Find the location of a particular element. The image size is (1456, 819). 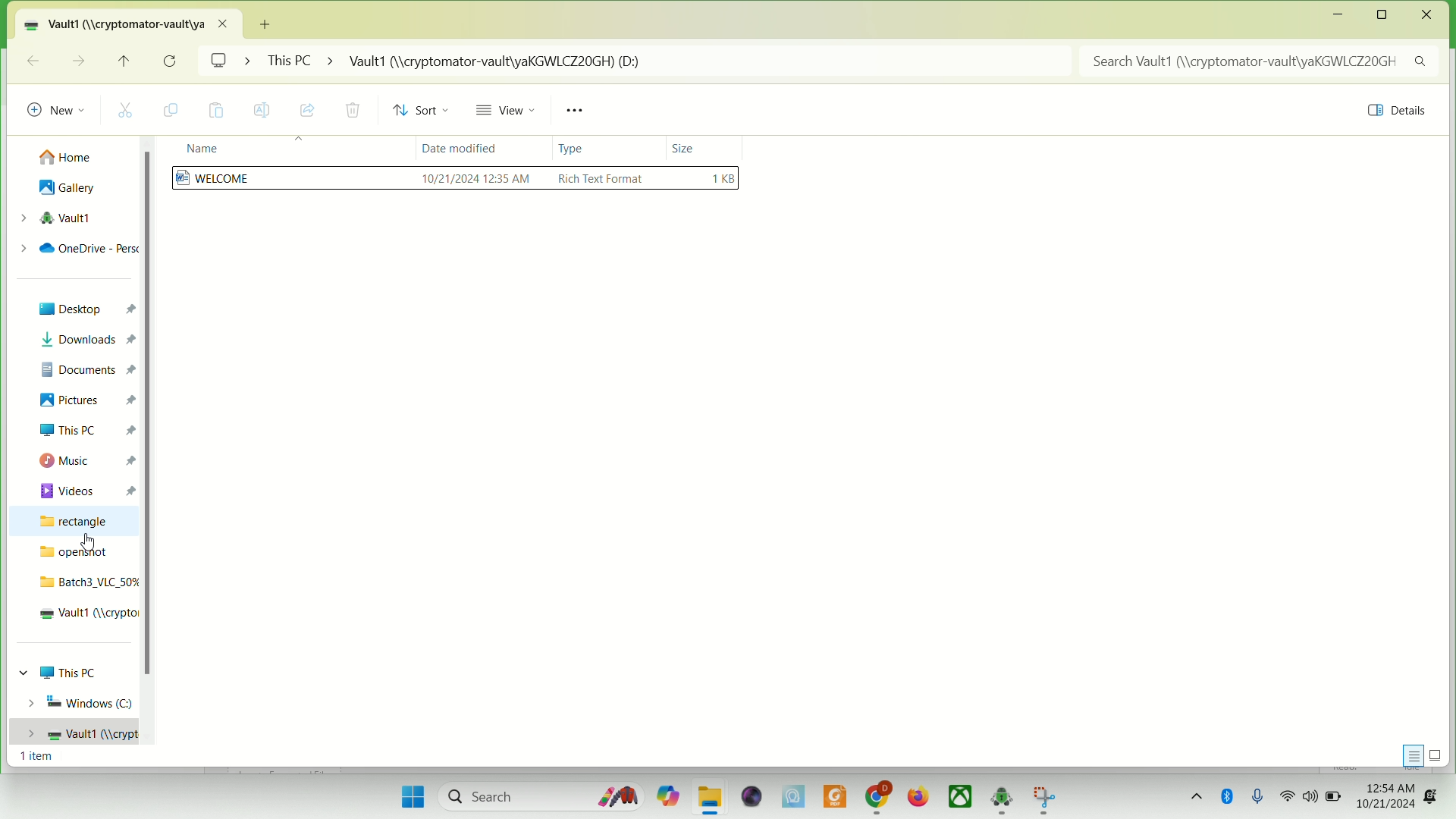

Add is located at coordinates (272, 19).